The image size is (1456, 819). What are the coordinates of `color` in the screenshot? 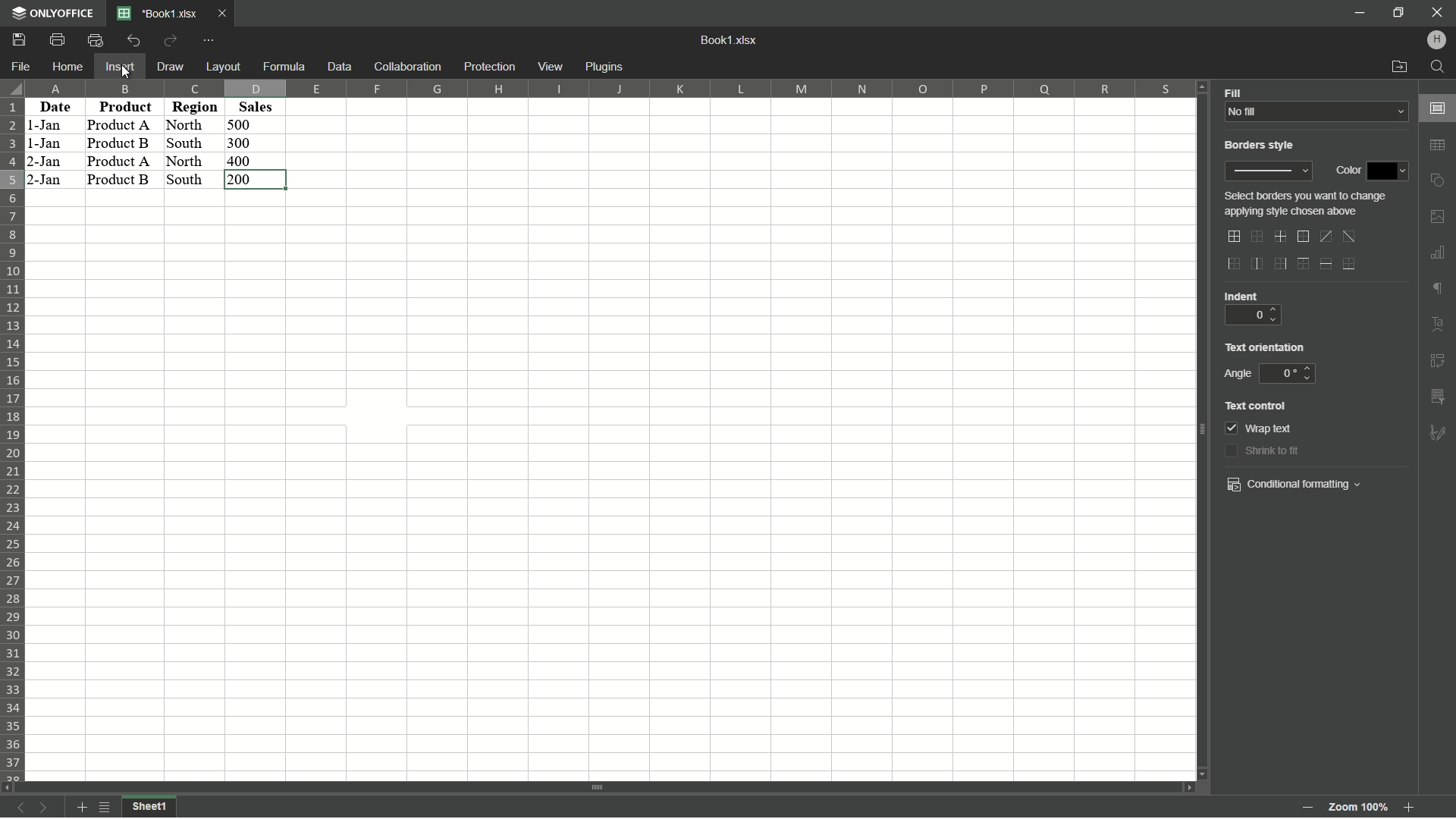 It's located at (1348, 170).